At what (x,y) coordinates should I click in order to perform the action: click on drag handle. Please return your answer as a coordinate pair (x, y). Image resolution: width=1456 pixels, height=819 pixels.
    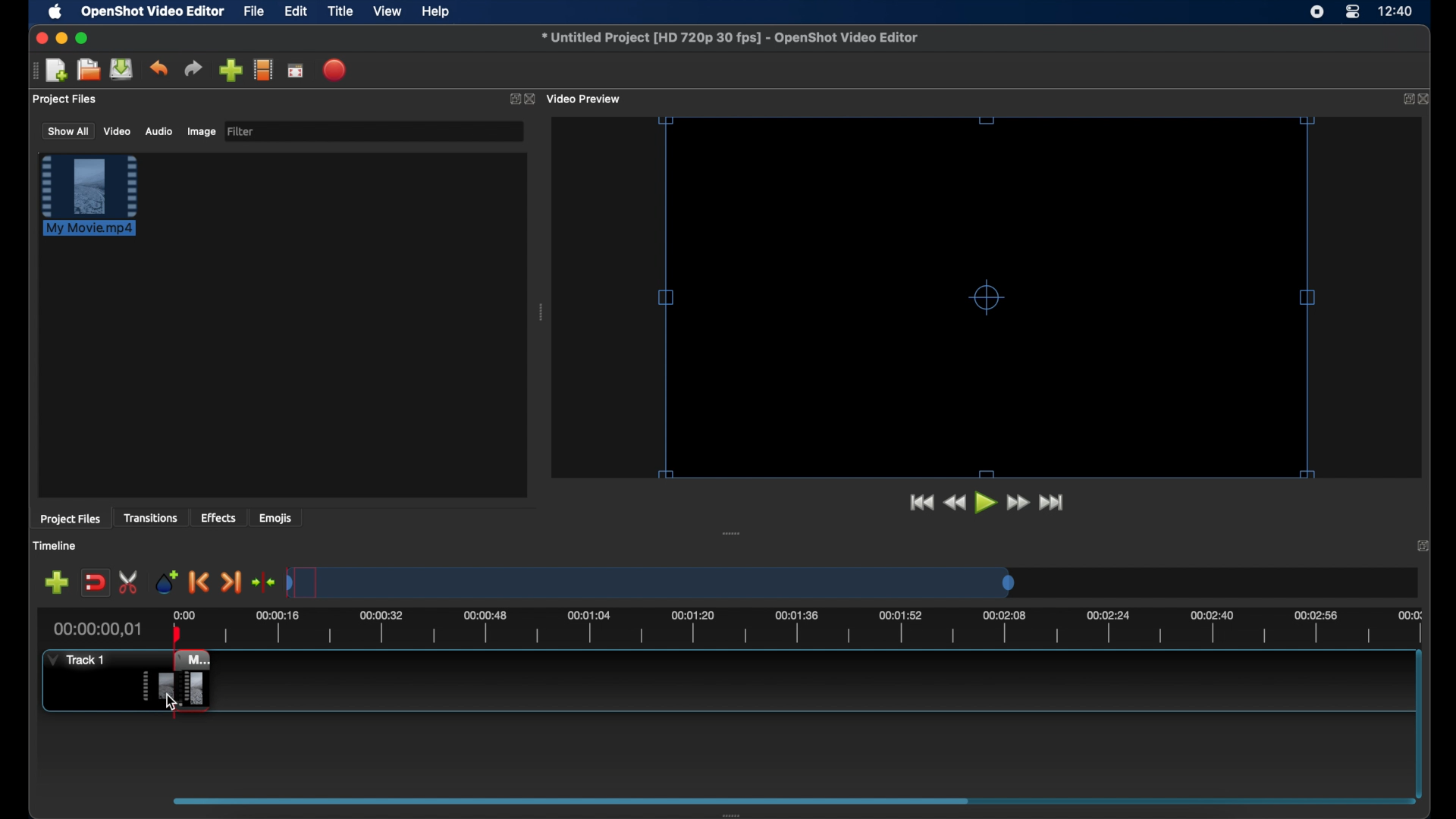
    Looking at the image, I should click on (541, 314).